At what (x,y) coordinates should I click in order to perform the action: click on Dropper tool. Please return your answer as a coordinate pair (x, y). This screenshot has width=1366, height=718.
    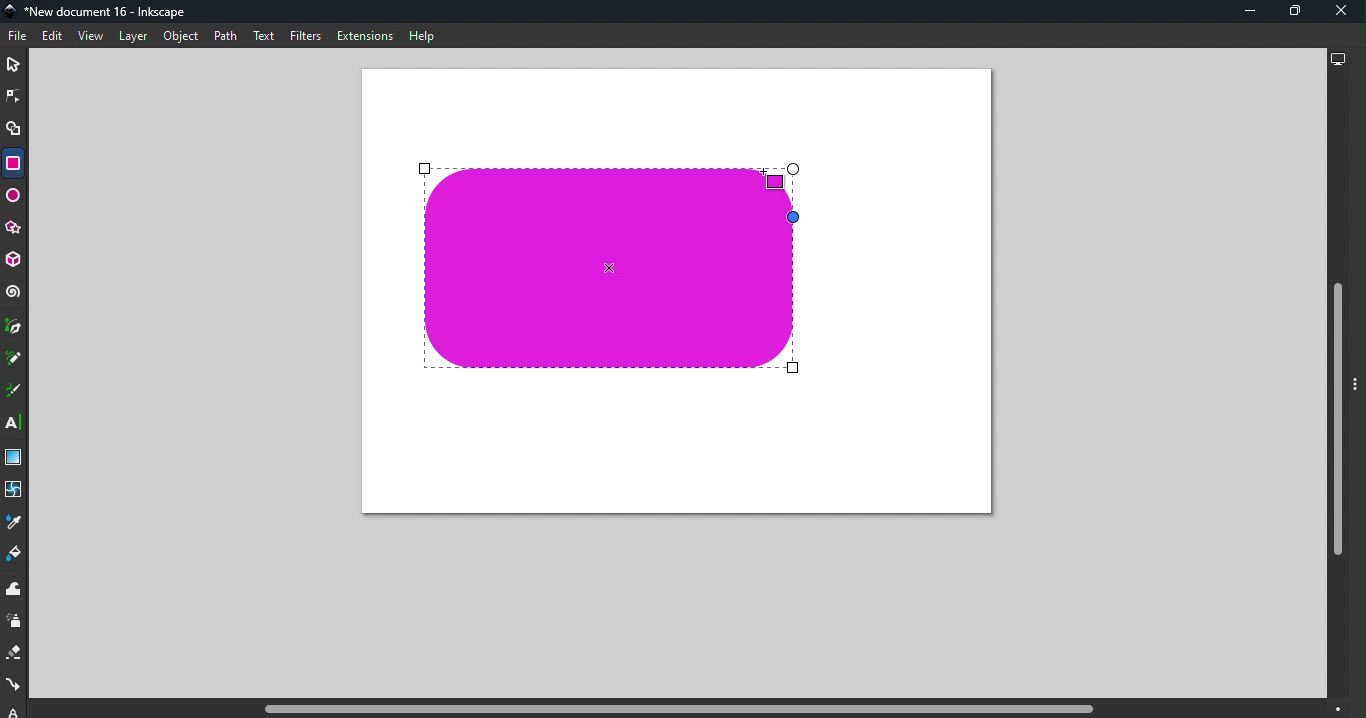
    Looking at the image, I should click on (14, 522).